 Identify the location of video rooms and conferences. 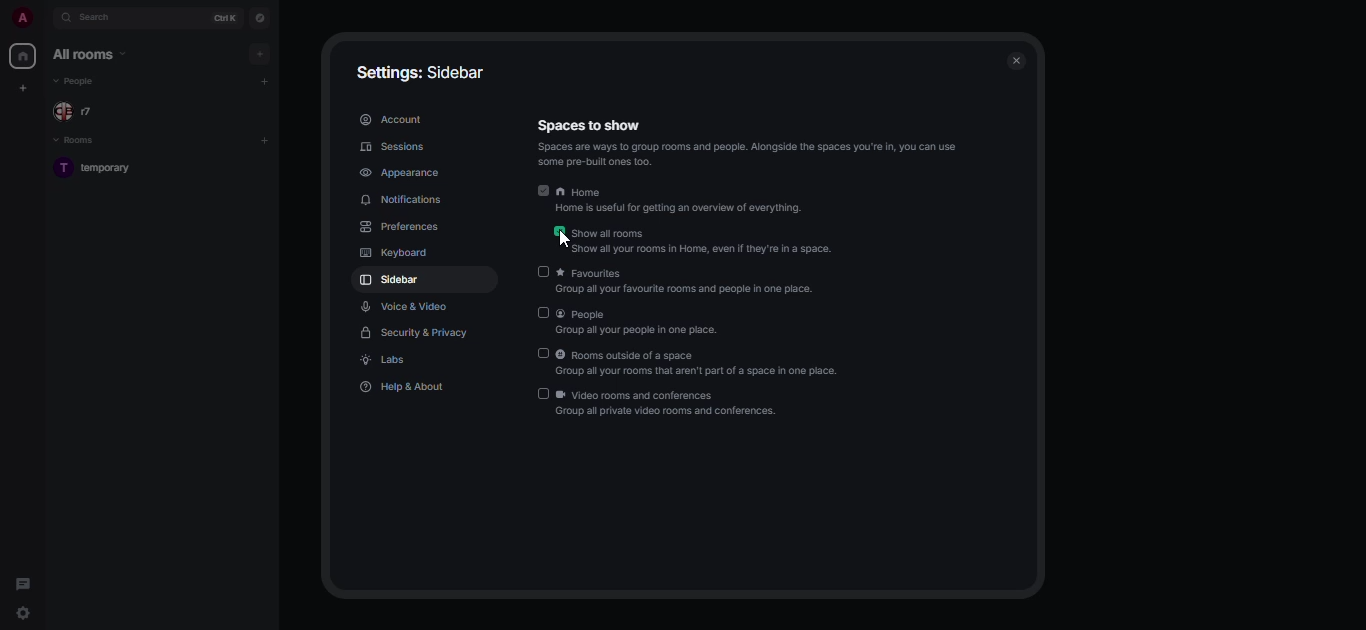
(669, 405).